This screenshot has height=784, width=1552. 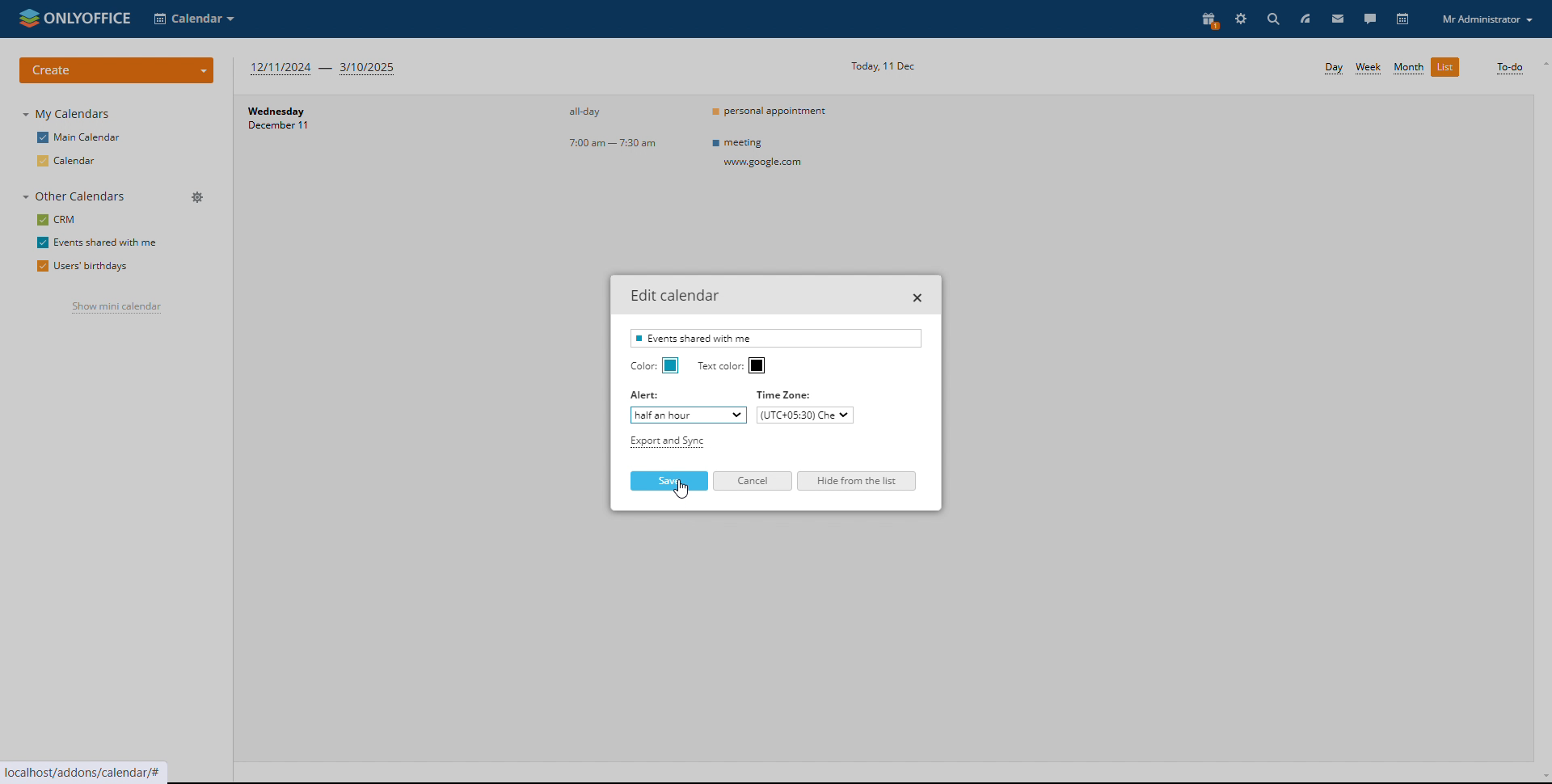 I want to click on to-do, so click(x=1508, y=68).